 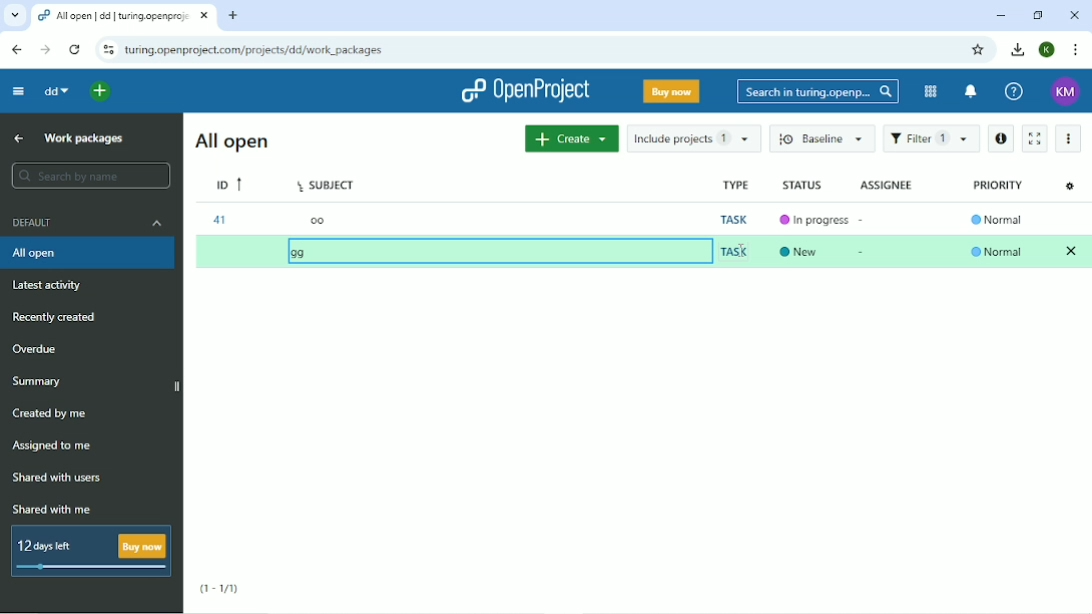 I want to click on Normal, so click(x=998, y=251).